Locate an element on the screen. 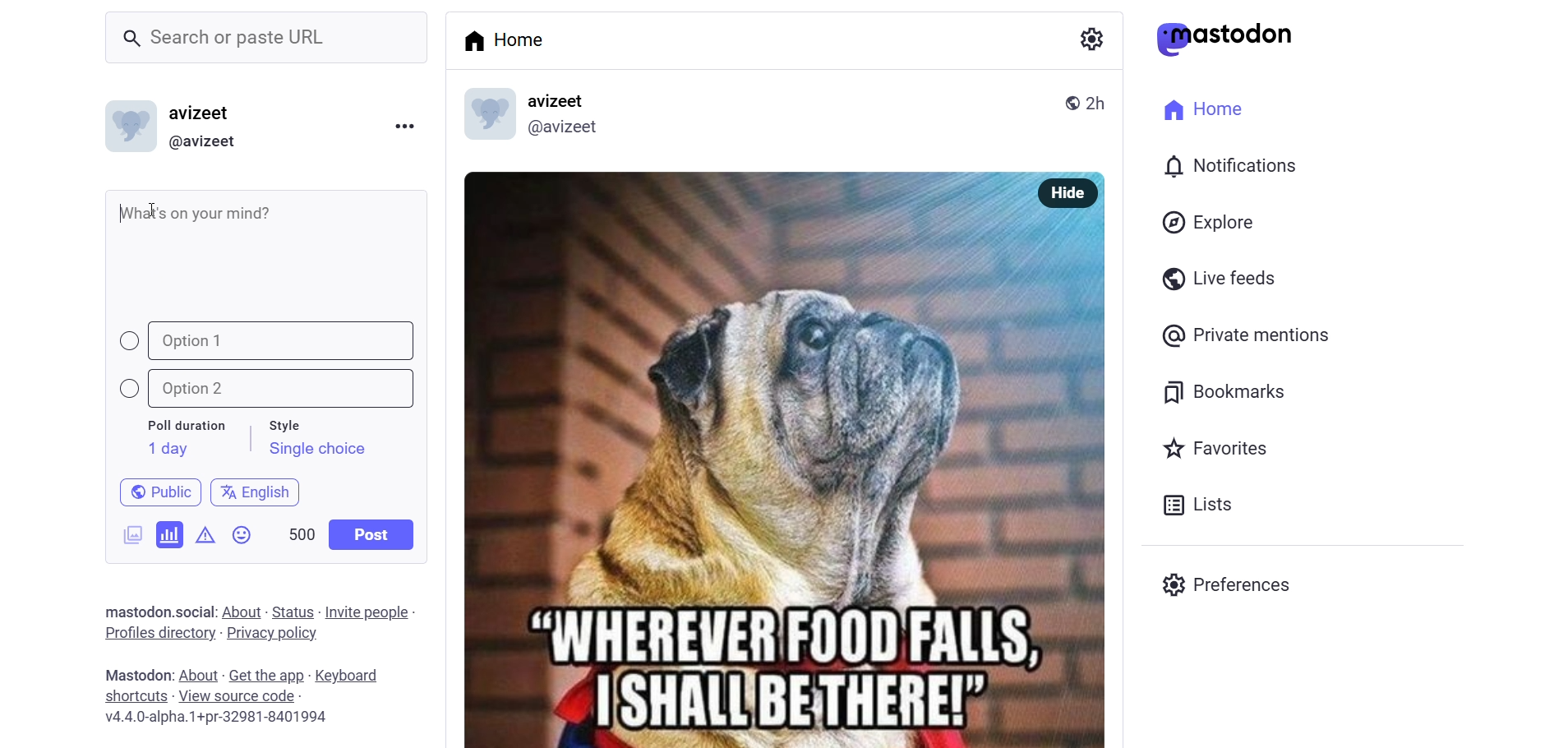 The width and height of the screenshot is (1568, 748). bookmark is located at coordinates (1227, 390).